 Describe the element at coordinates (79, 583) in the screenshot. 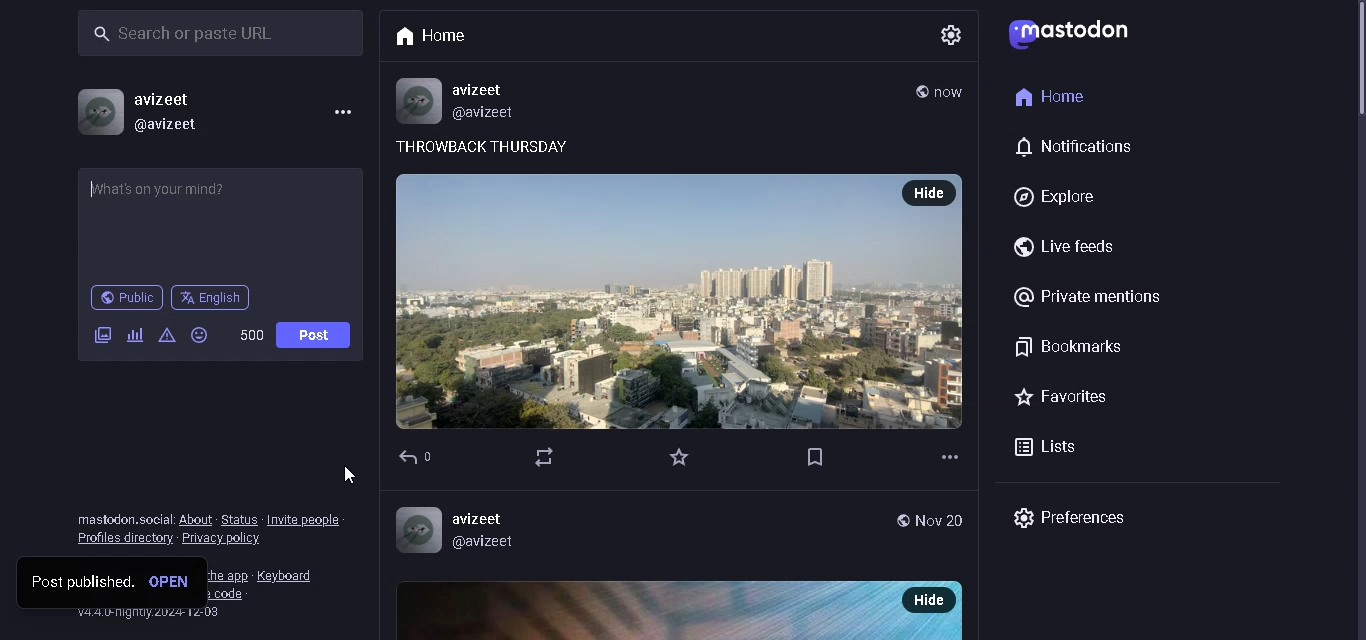

I see `post published` at that location.